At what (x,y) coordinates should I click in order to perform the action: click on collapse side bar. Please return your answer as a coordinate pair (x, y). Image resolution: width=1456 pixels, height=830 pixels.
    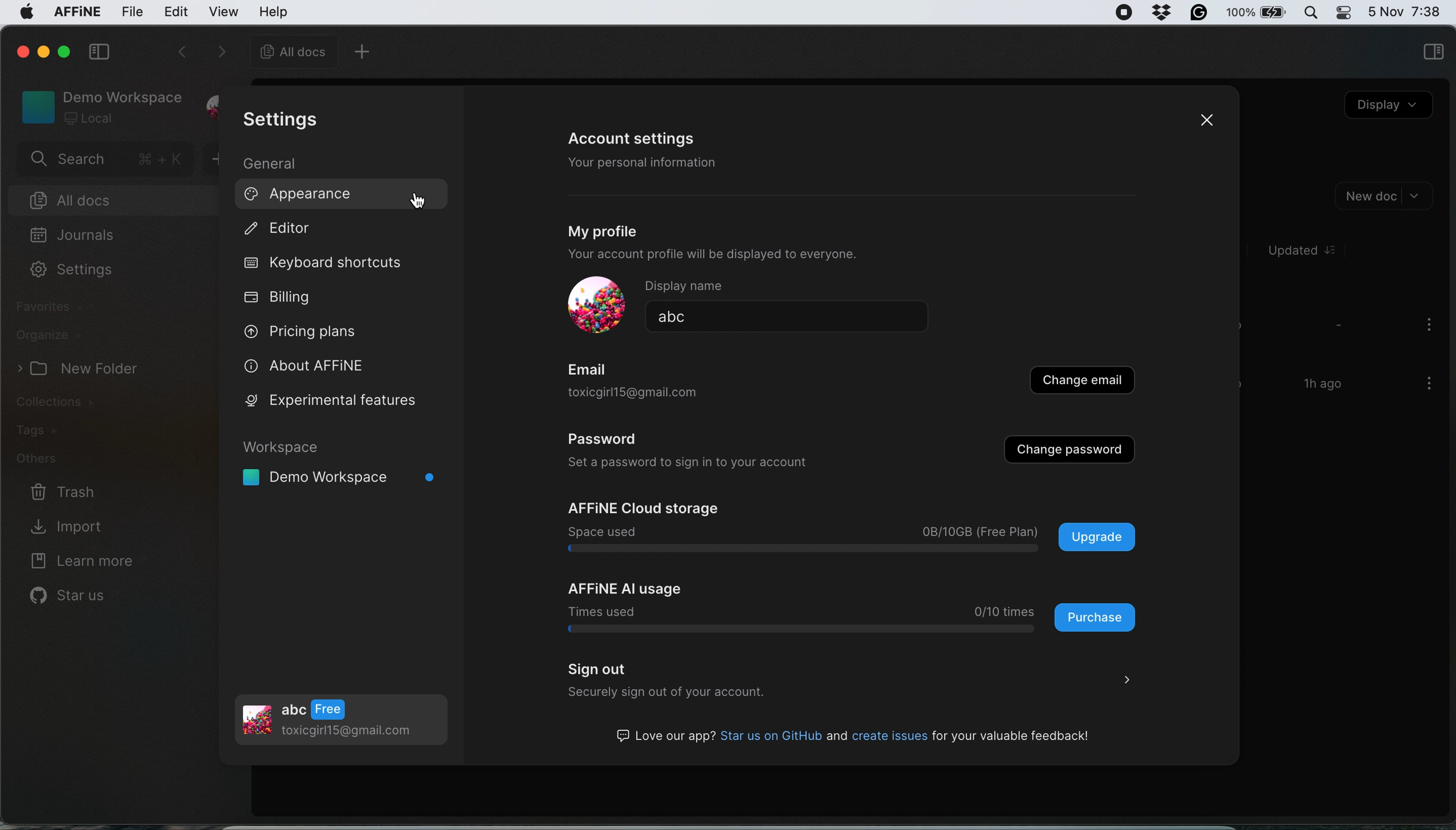
    Looking at the image, I should click on (99, 53).